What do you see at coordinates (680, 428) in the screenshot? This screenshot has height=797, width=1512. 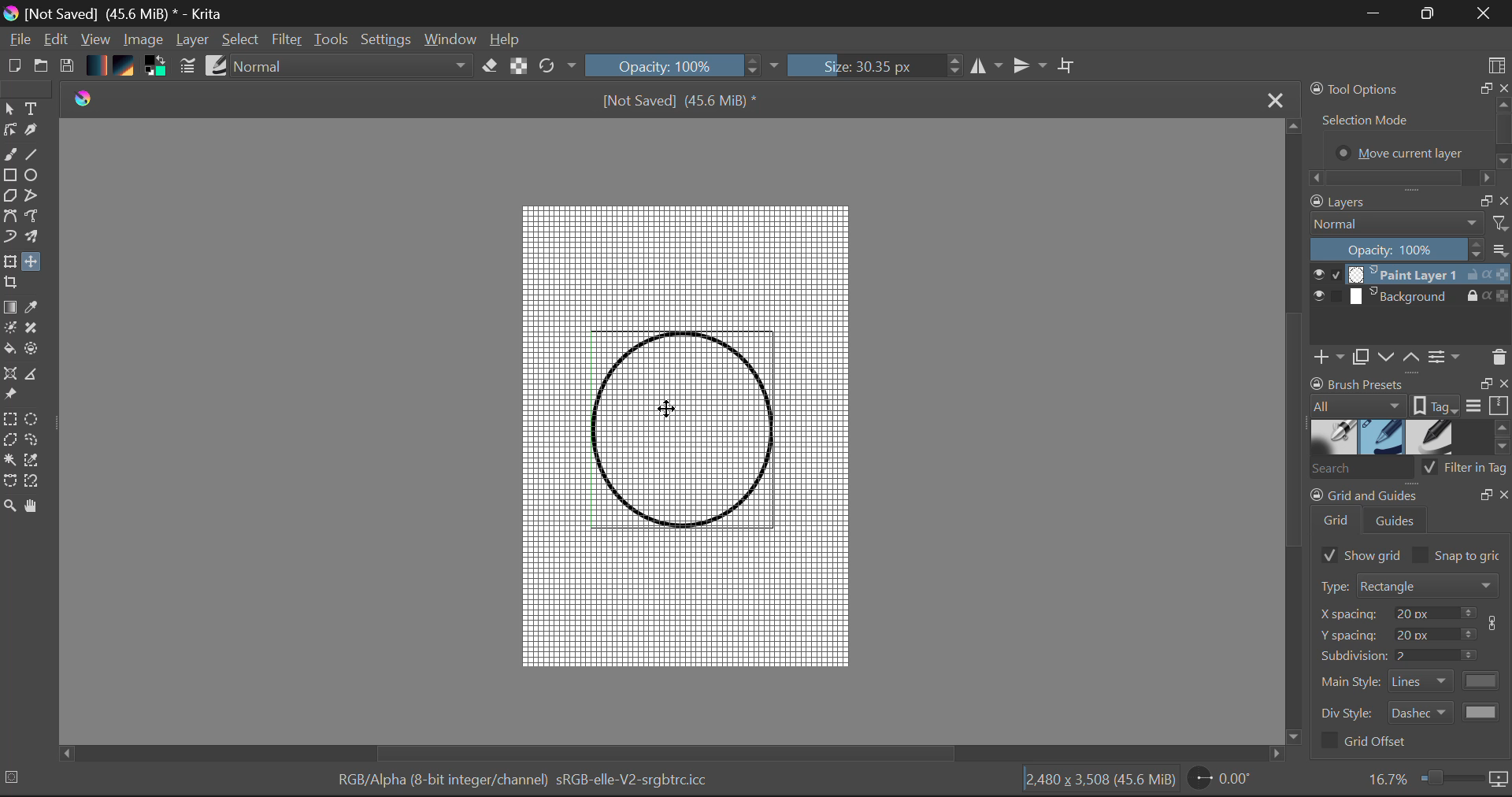 I see `Shape Aligned with Grid` at bounding box center [680, 428].